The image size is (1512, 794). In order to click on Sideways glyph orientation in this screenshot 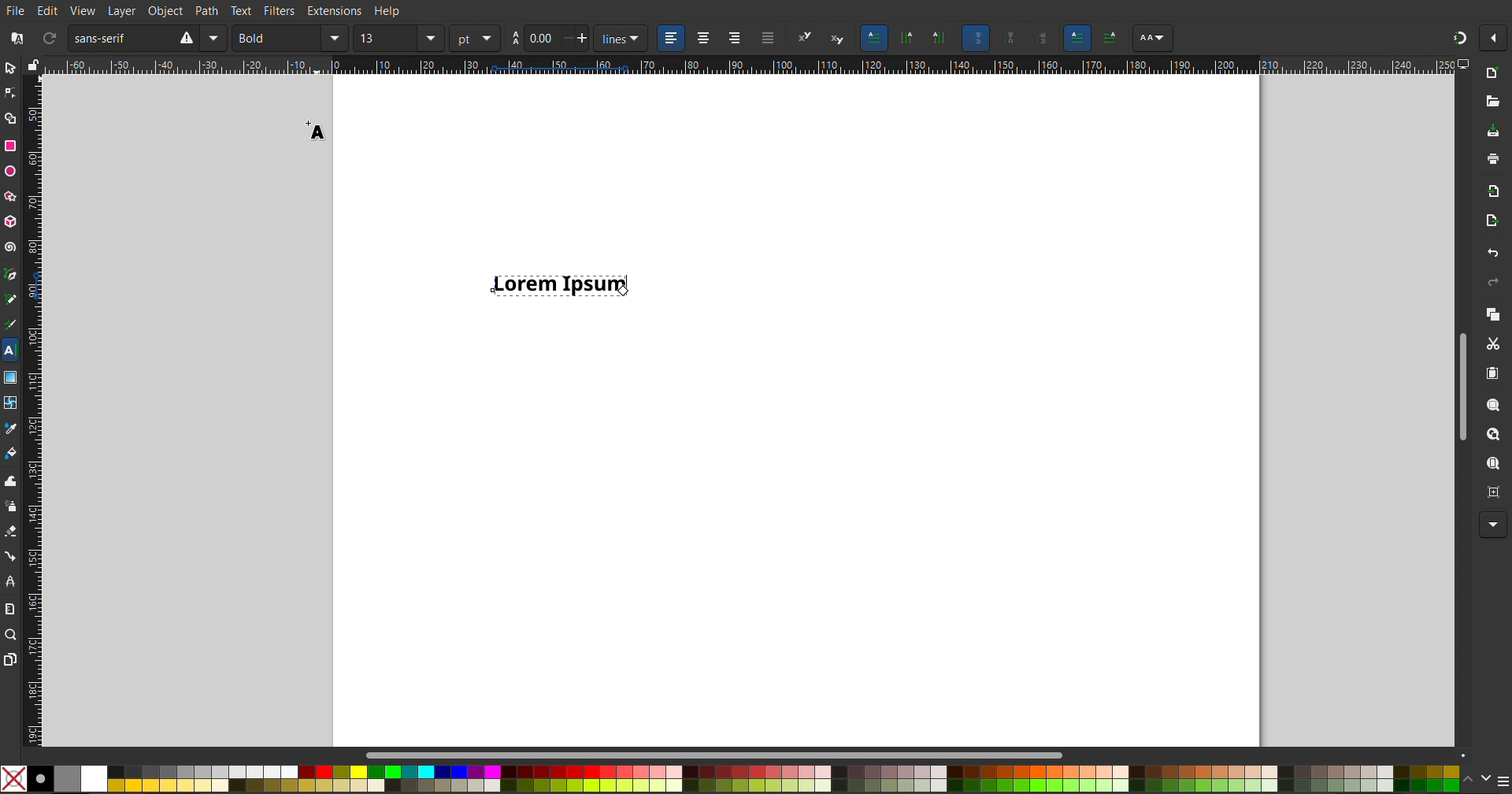, I will do `click(1043, 37)`.